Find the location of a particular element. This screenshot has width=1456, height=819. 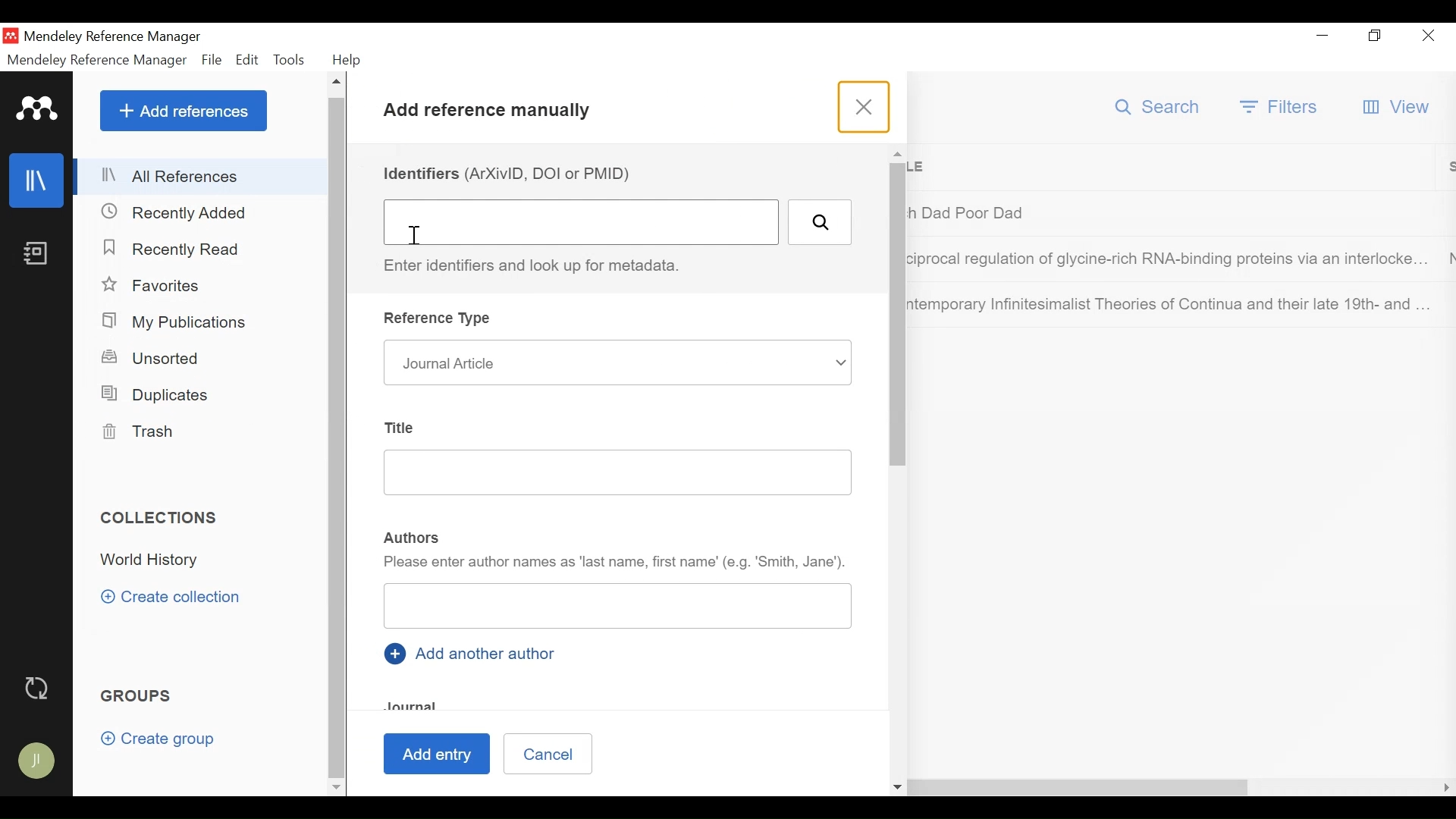

Dad Poor Dad is located at coordinates (1172, 212).